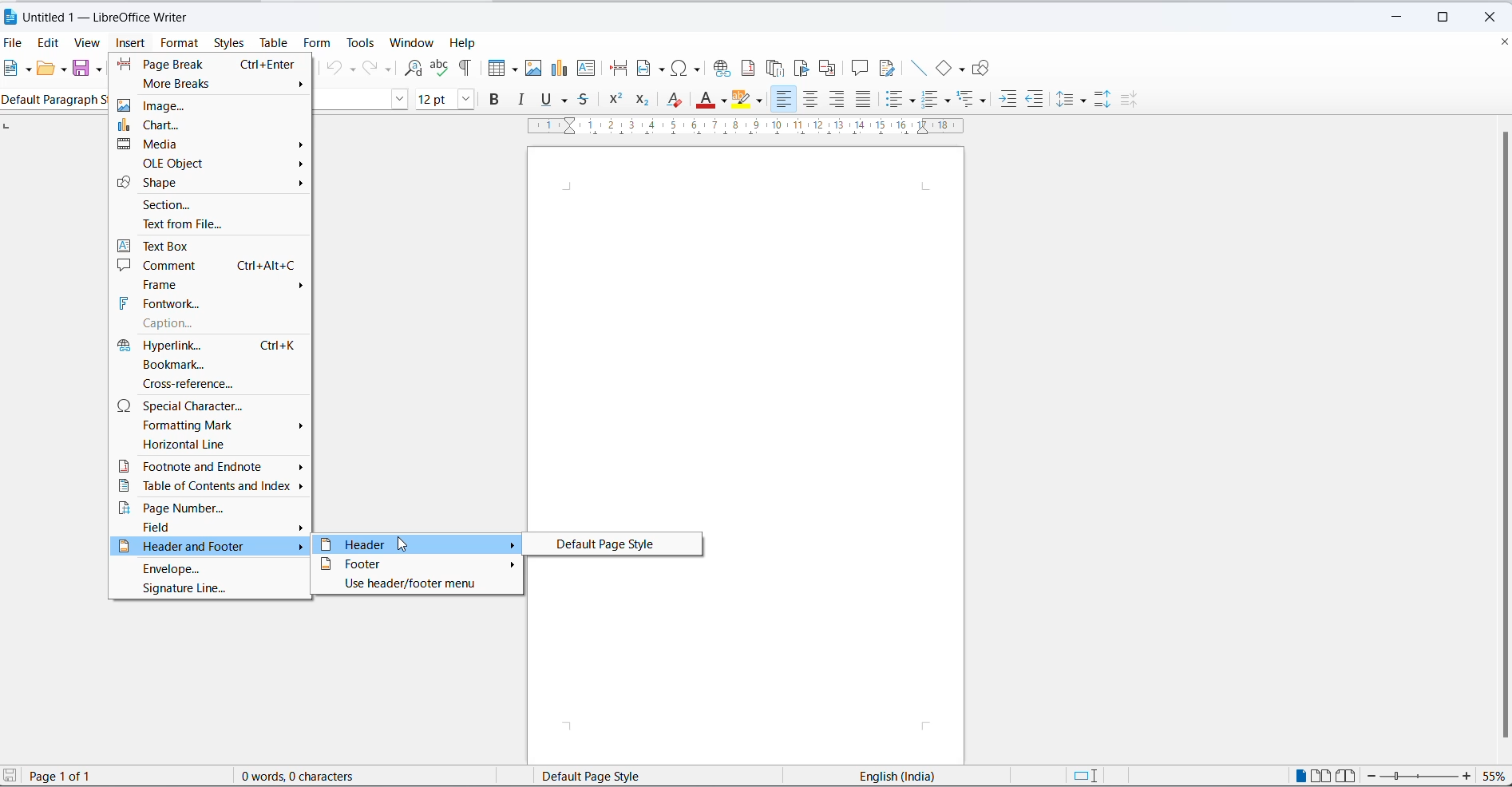  What do you see at coordinates (943, 68) in the screenshot?
I see `basic shapes` at bounding box center [943, 68].